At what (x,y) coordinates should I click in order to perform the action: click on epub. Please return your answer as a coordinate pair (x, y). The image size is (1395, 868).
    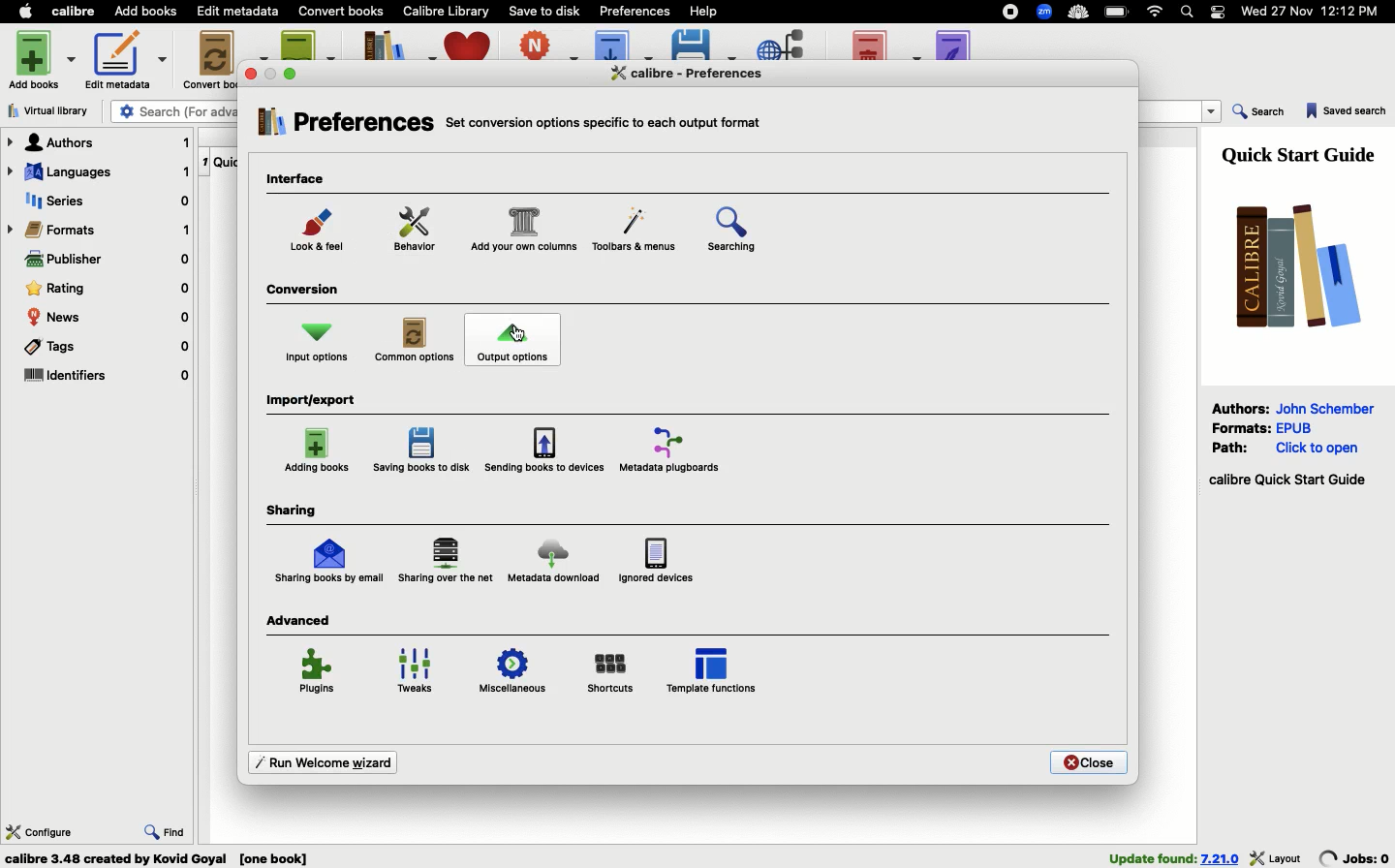
    Looking at the image, I should click on (1294, 427).